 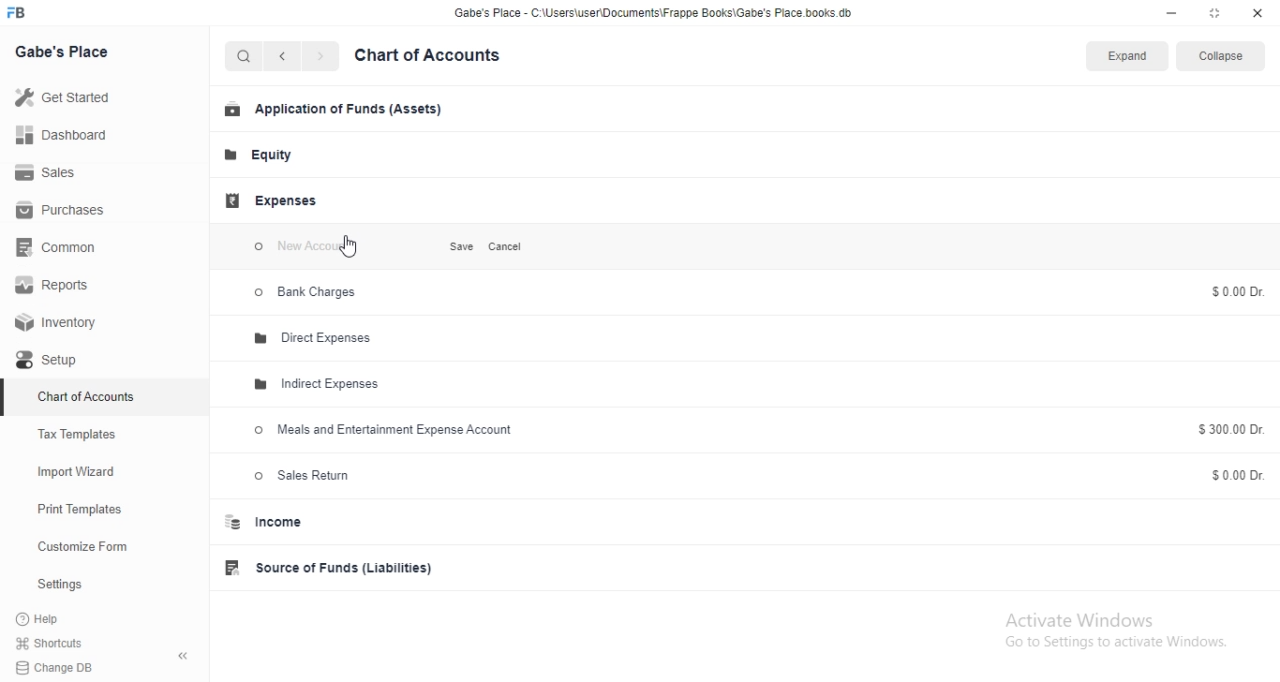 What do you see at coordinates (1169, 14) in the screenshot?
I see `minimize` at bounding box center [1169, 14].